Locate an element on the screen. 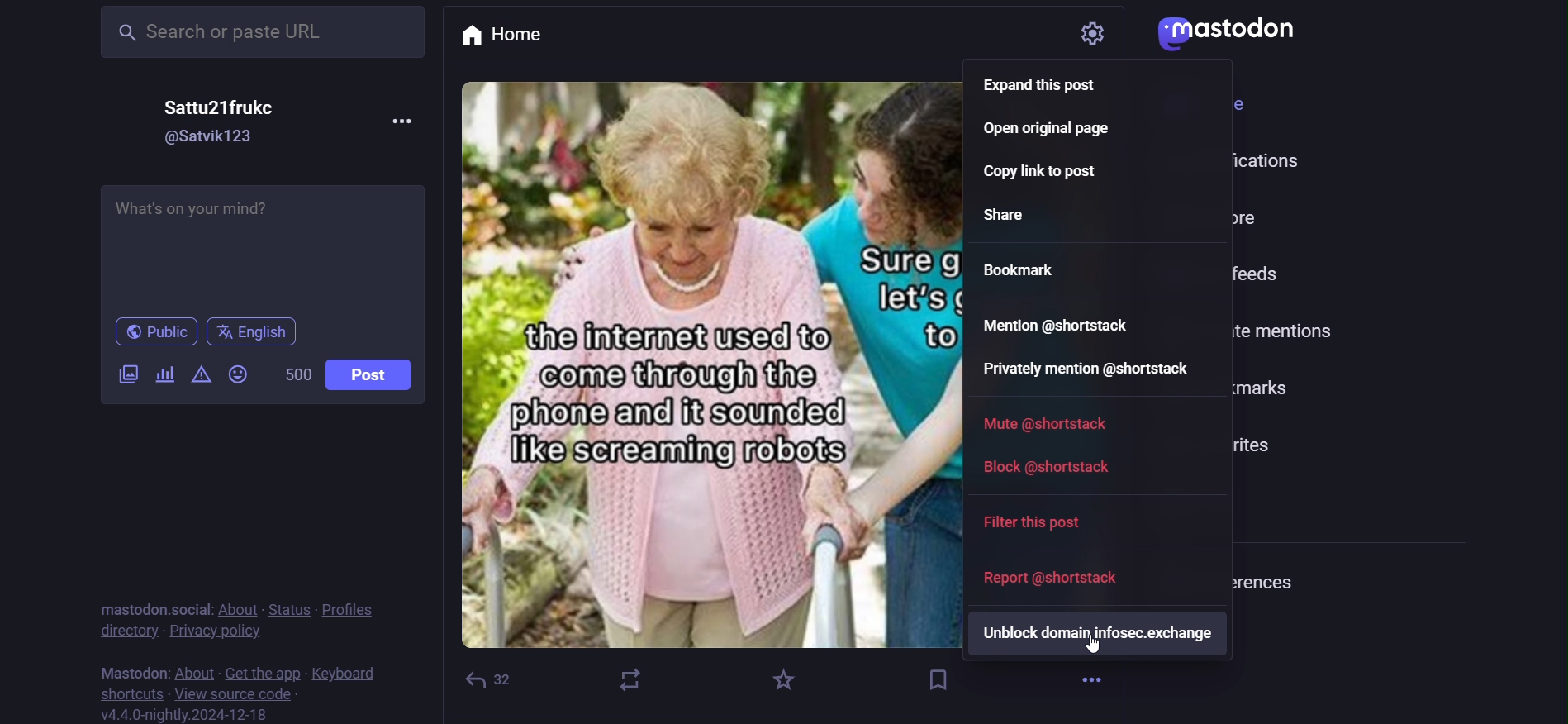 The width and height of the screenshot is (1568, 724). get the app is located at coordinates (264, 670).